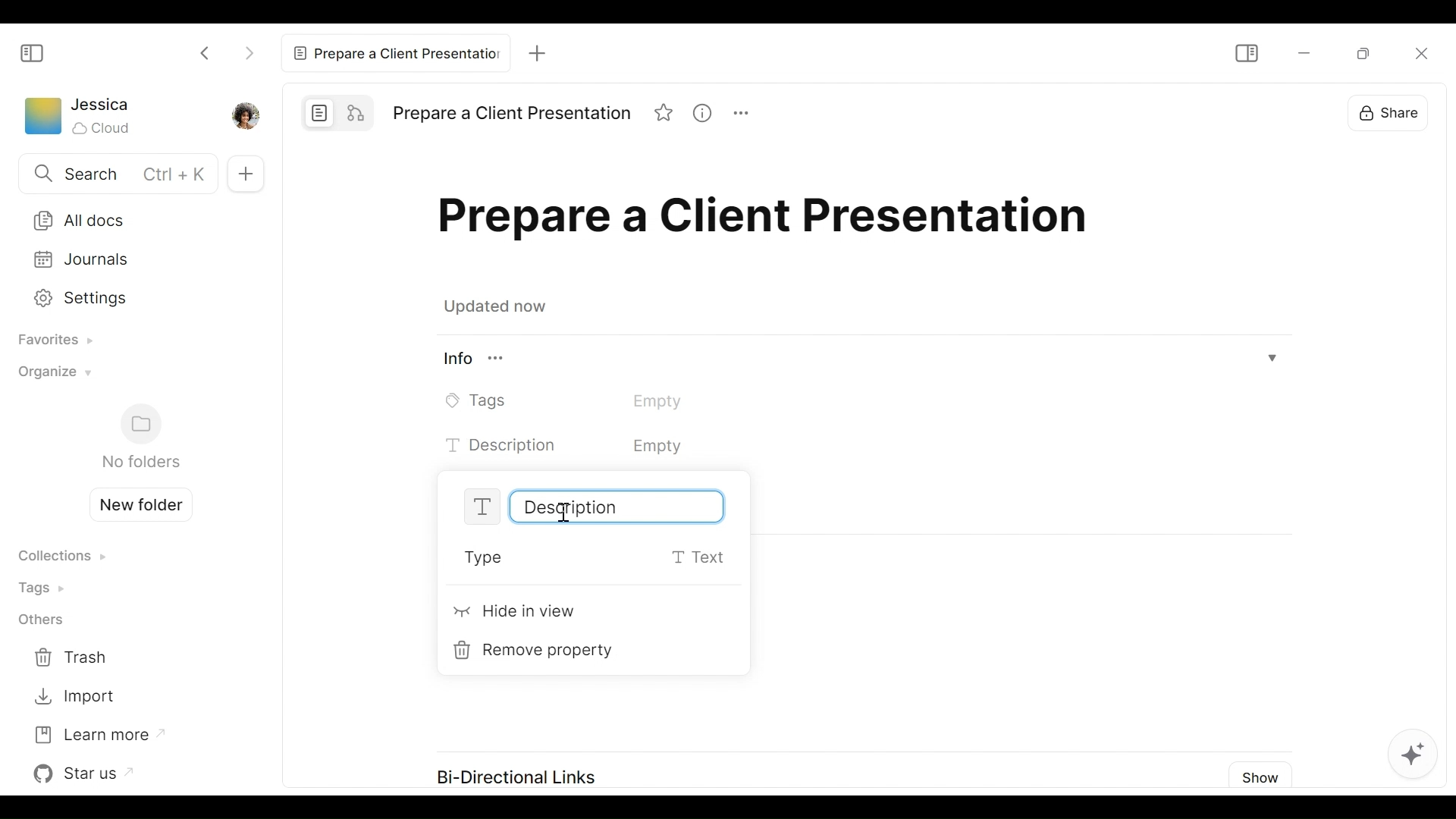 Image resolution: width=1456 pixels, height=819 pixels. What do you see at coordinates (127, 296) in the screenshot?
I see `Settings` at bounding box center [127, 296].